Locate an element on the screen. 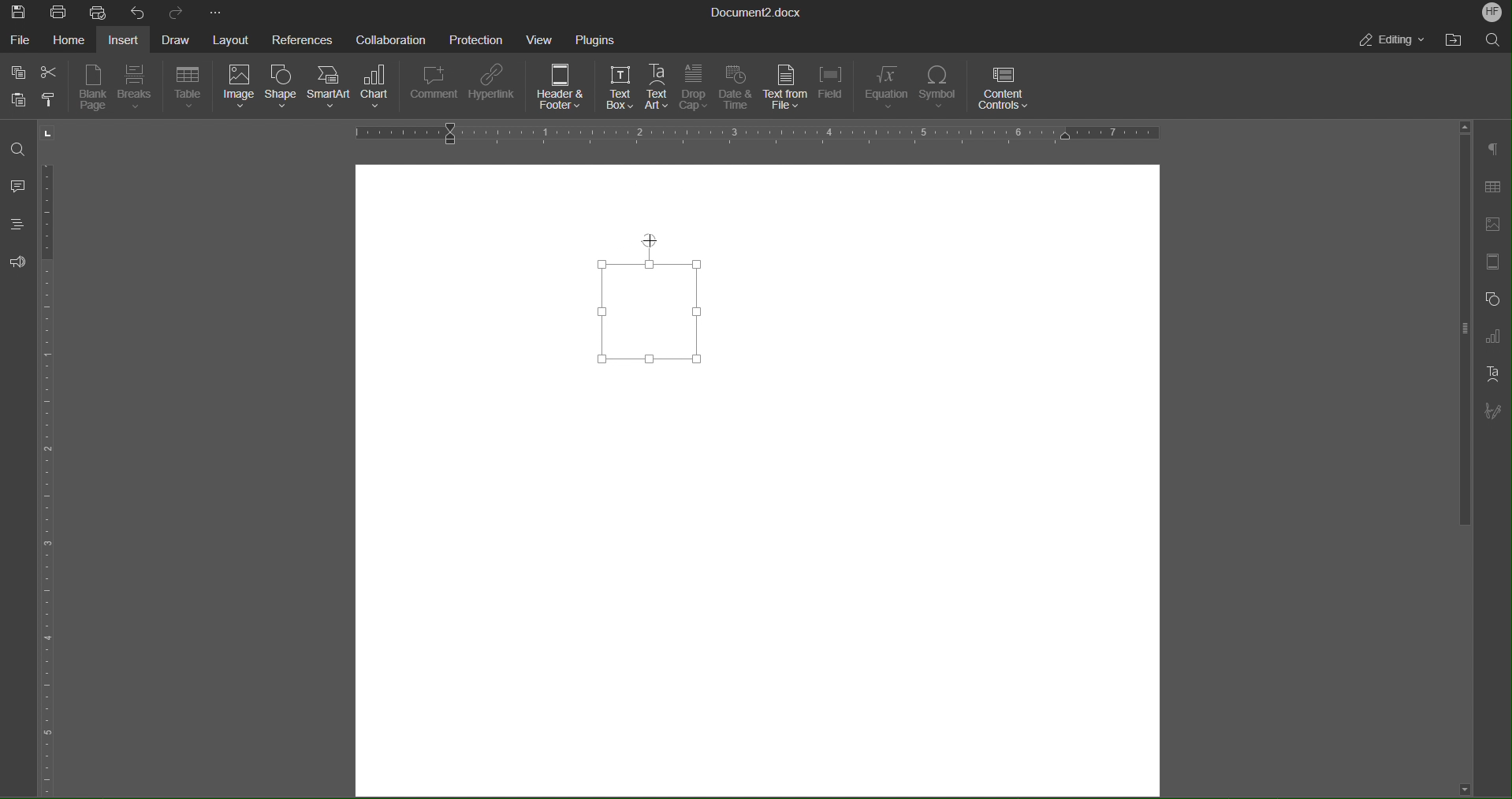  Signature is located at coordinates (1492, 412).